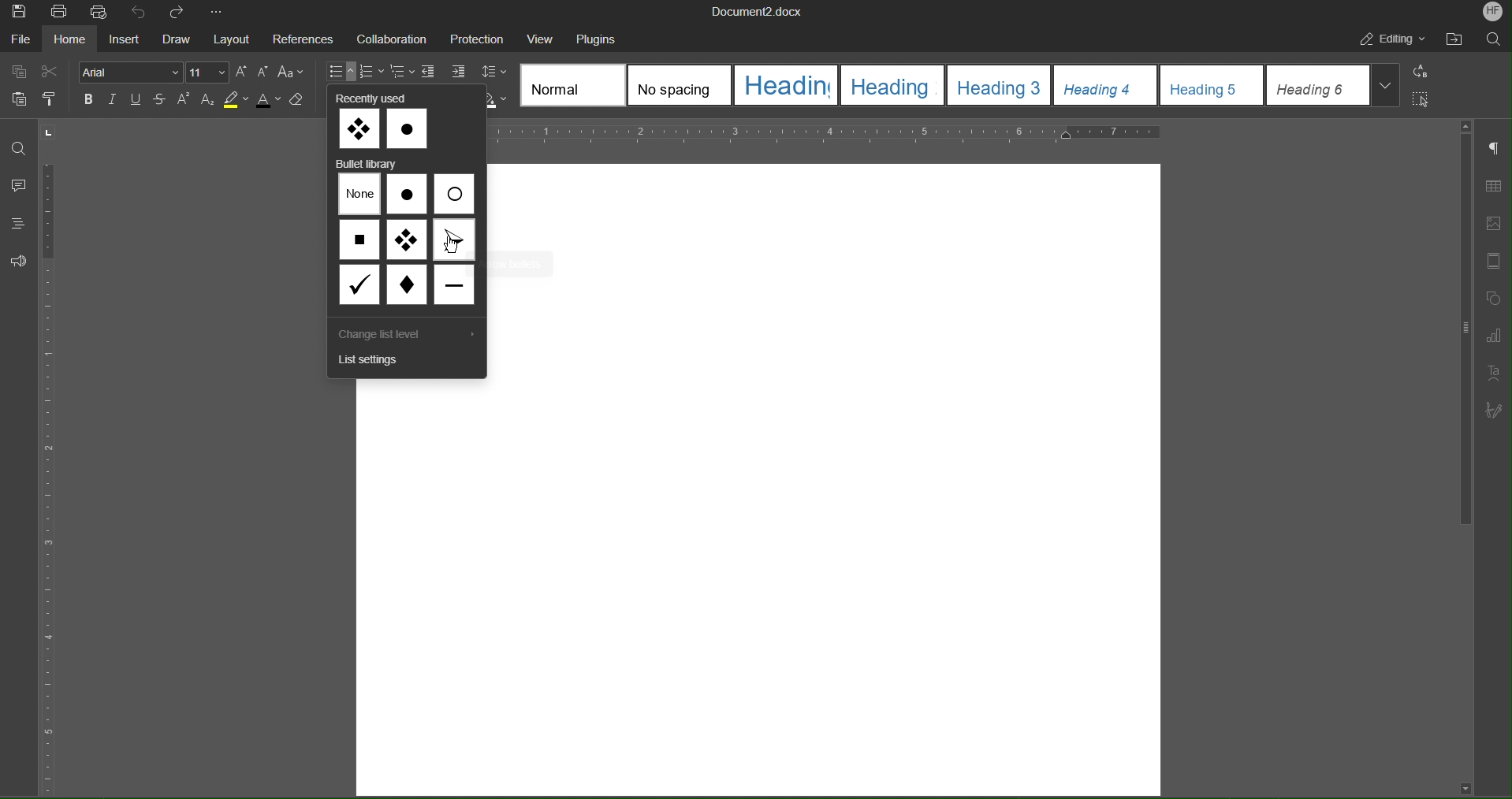 The width and height of the screenshot is (1512, 799). What do you see at coordinates (1458, 36) in the screenshot?
I see `Open File Location` at bounding box center [1458, 36].